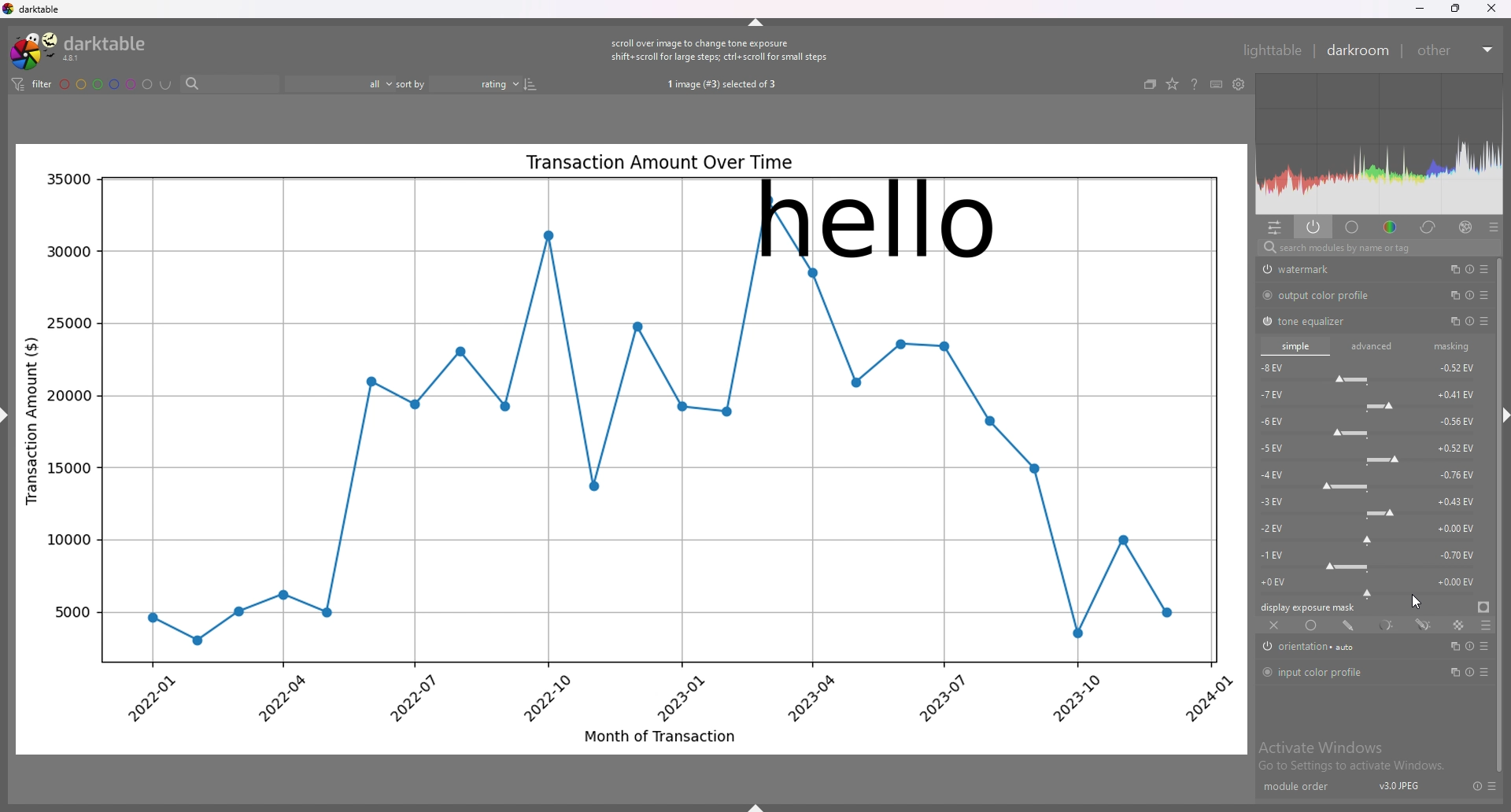 This screenshot has height=812, width=1511. I want to click on watermark, so click(1317, 270).